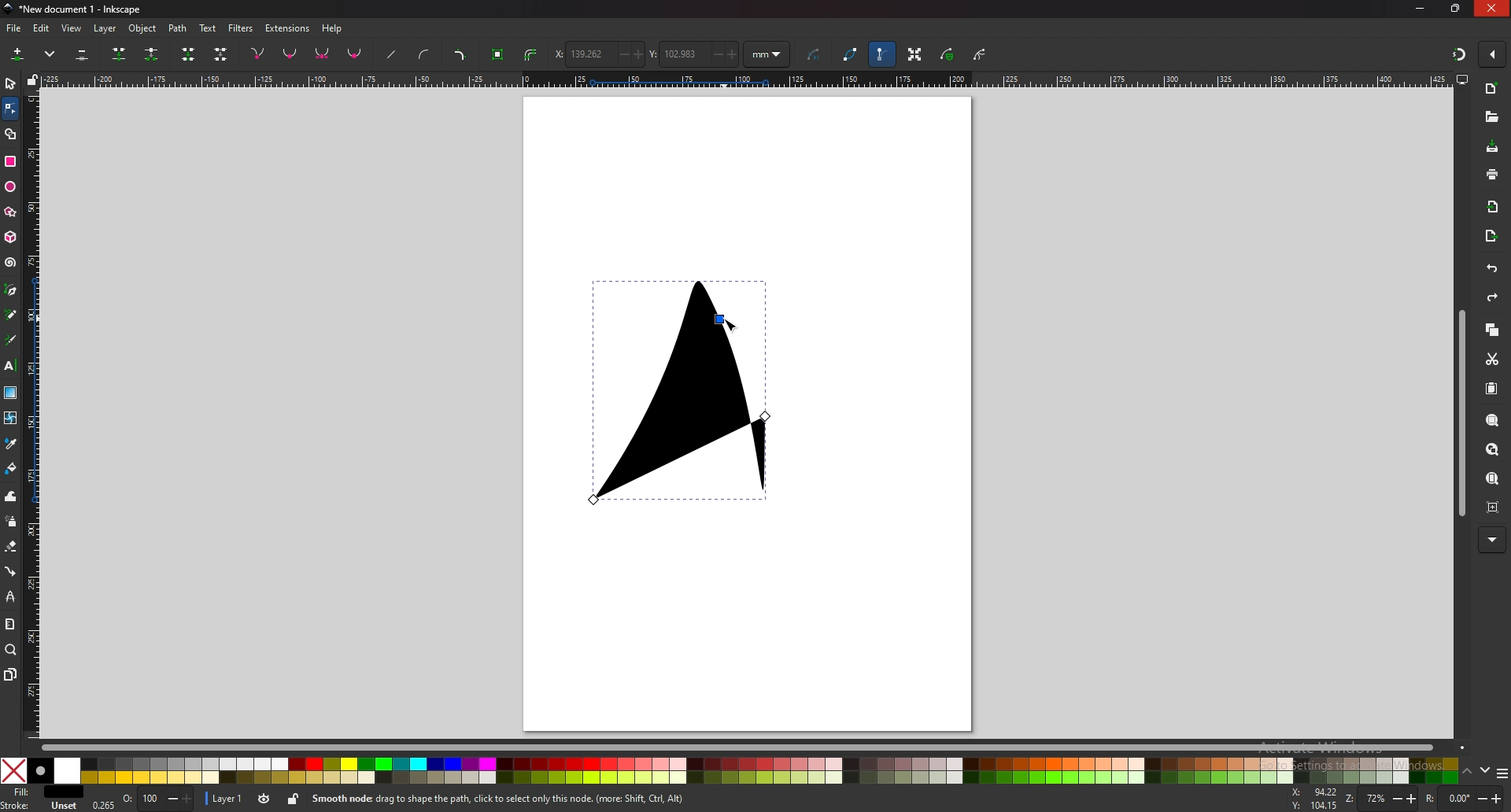 This screenshot has width=1511, height=812. I want to click on object, so click(145, 28).